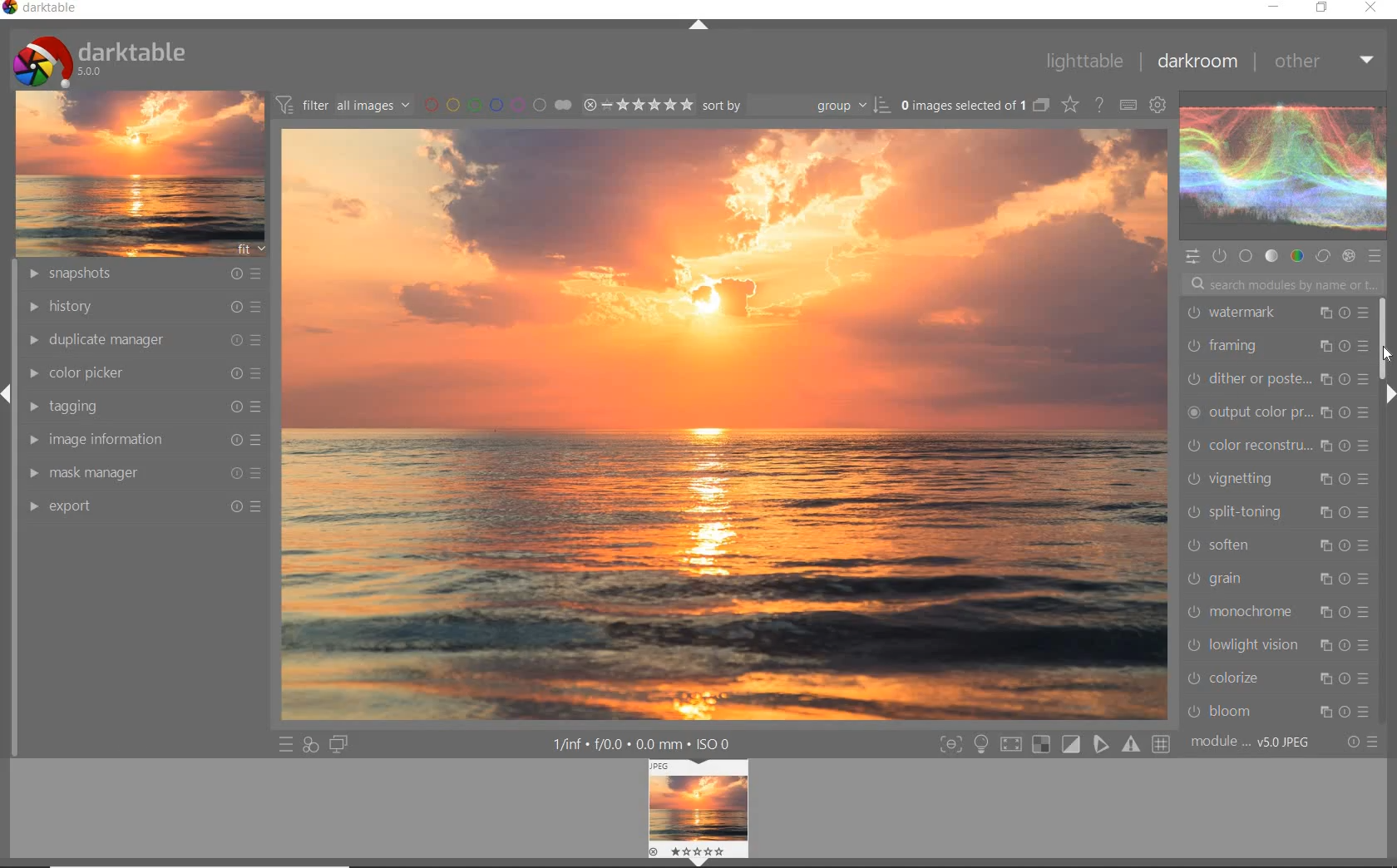  Describe the element at coordinates (146, 439) in the screenshot. I see `IMAGE INFORMATION` at that location.